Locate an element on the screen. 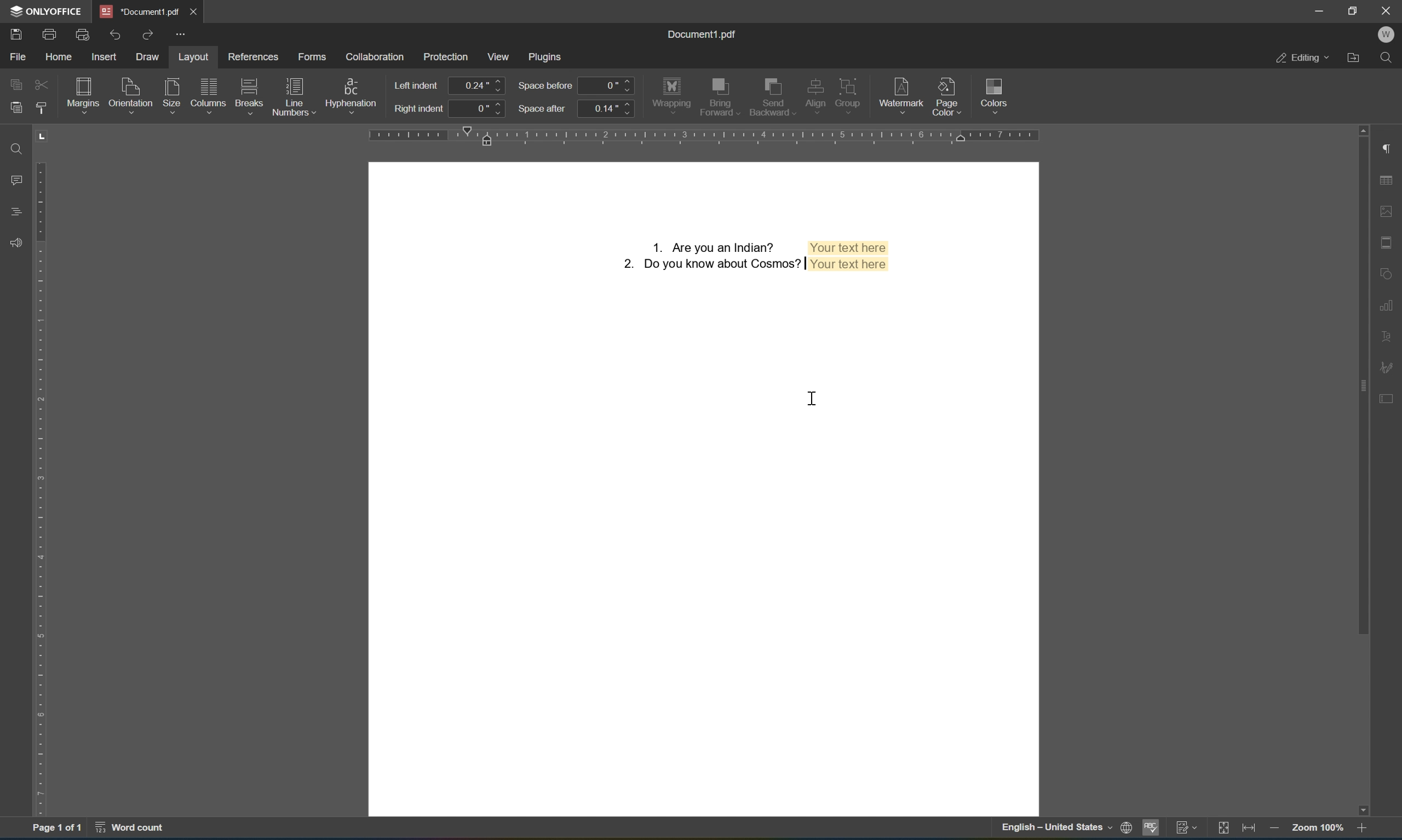  word count is located at coordinates (136, 830).